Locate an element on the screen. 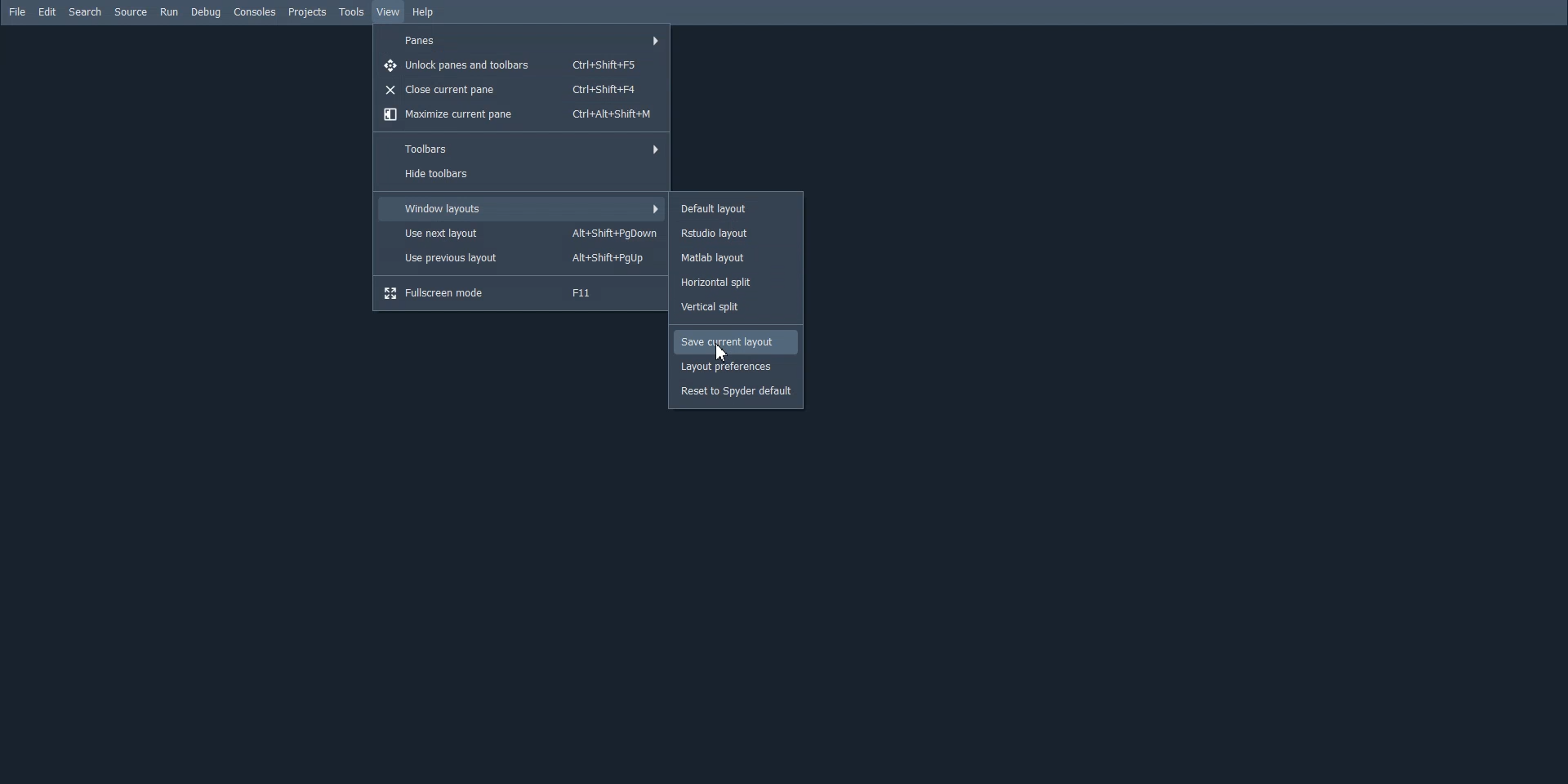 The image size is (1568, 784). Cursor is located at coordinates (723, 352).